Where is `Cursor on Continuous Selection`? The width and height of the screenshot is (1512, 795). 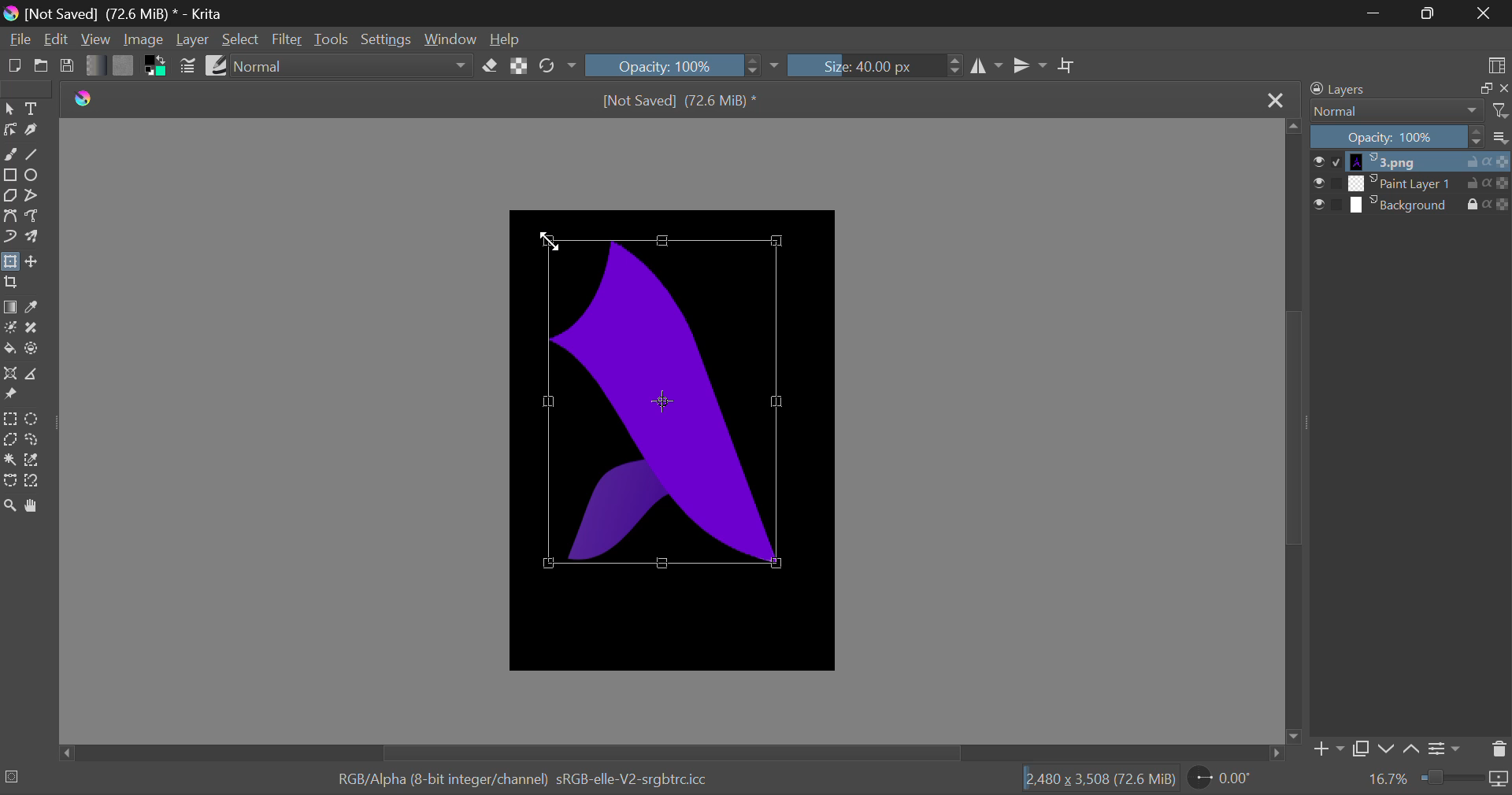
Cursor on Continuous Selection is located at coordinates (10, 460).